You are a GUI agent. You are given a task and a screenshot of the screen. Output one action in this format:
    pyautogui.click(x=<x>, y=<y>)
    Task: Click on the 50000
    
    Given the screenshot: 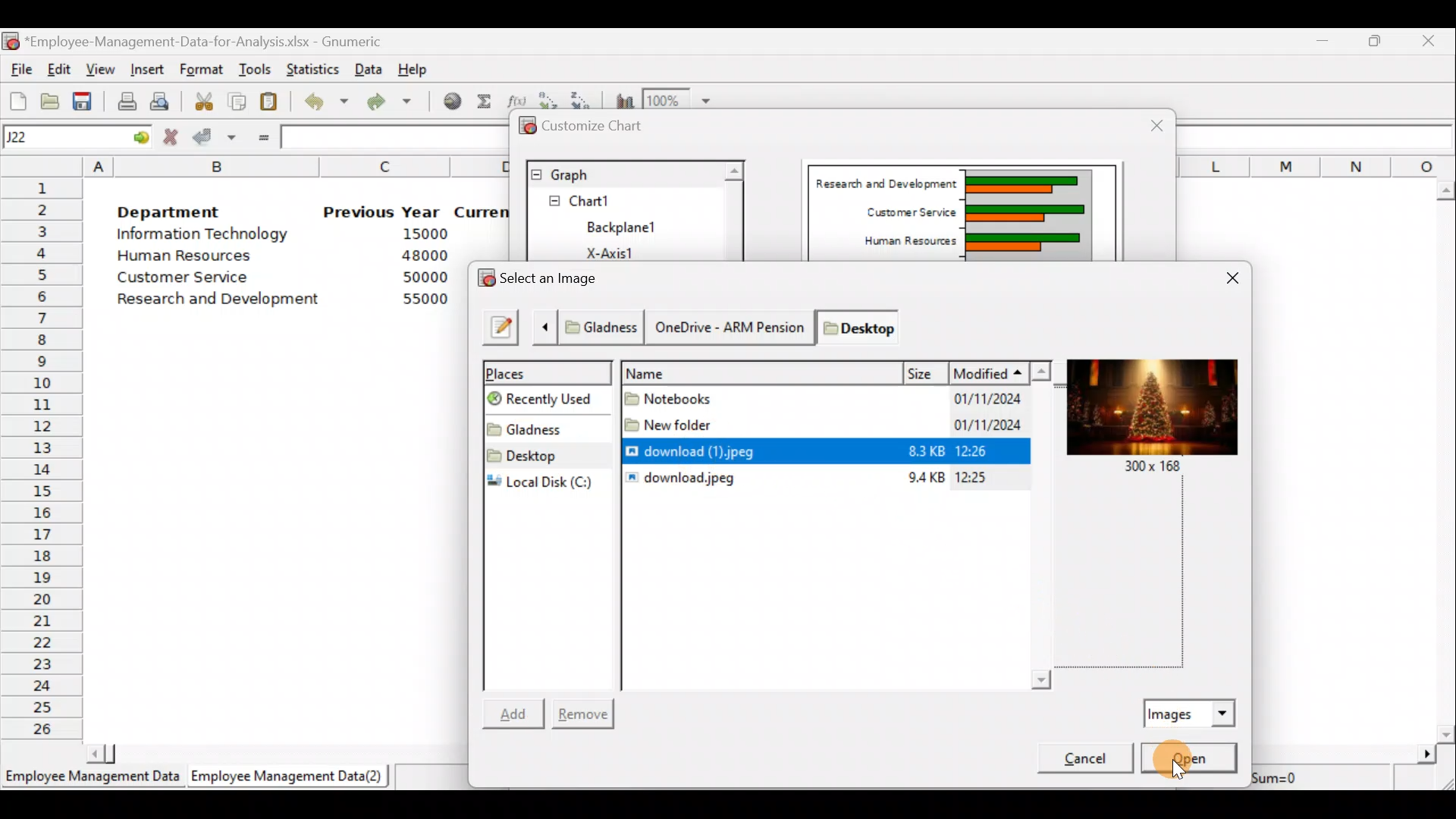 What is the action you would take?
    pyautogui.click(x=422, y=277)
    